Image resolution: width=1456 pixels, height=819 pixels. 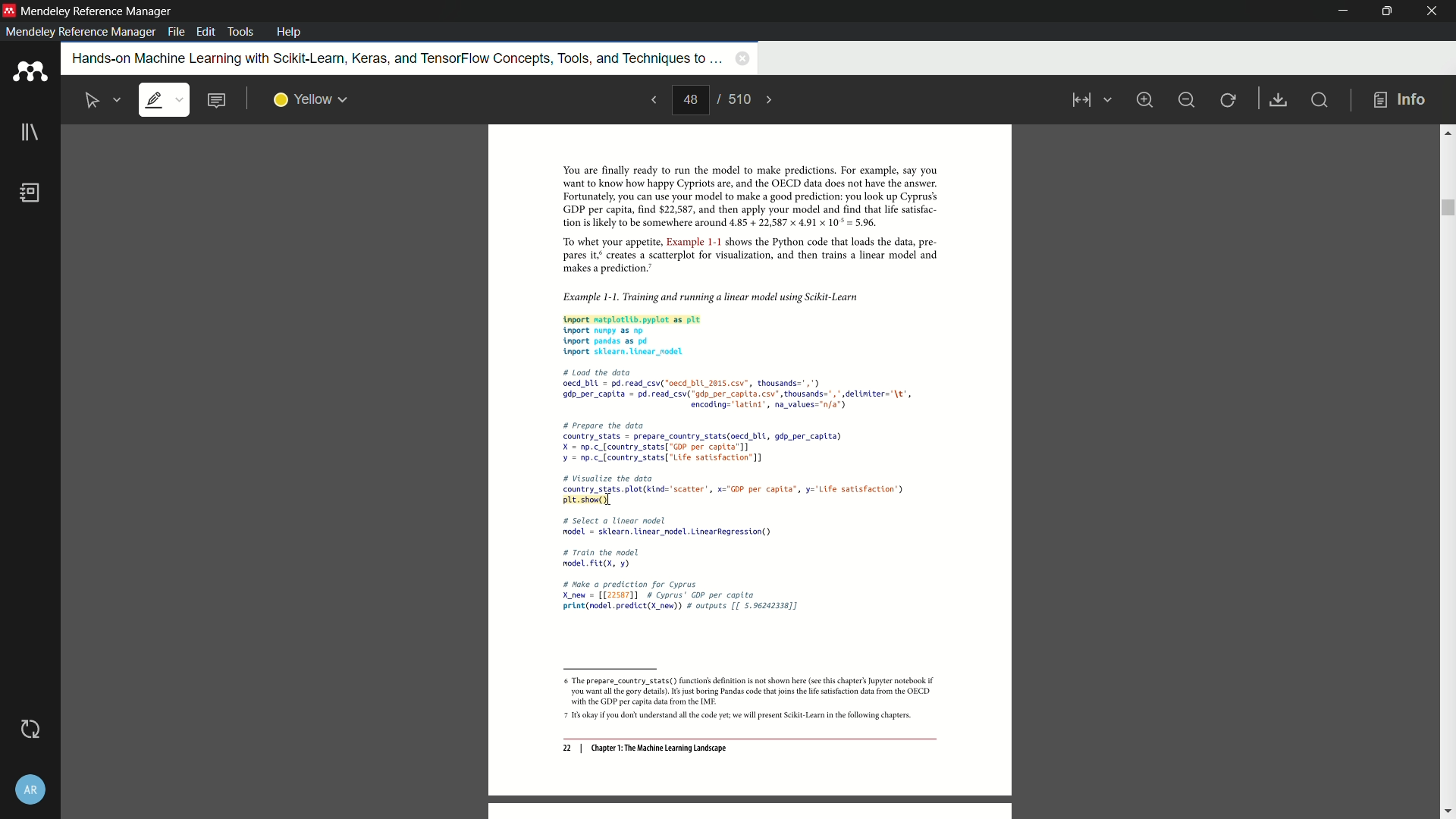 I want to click on account and settings, so click(x=30, y=792).